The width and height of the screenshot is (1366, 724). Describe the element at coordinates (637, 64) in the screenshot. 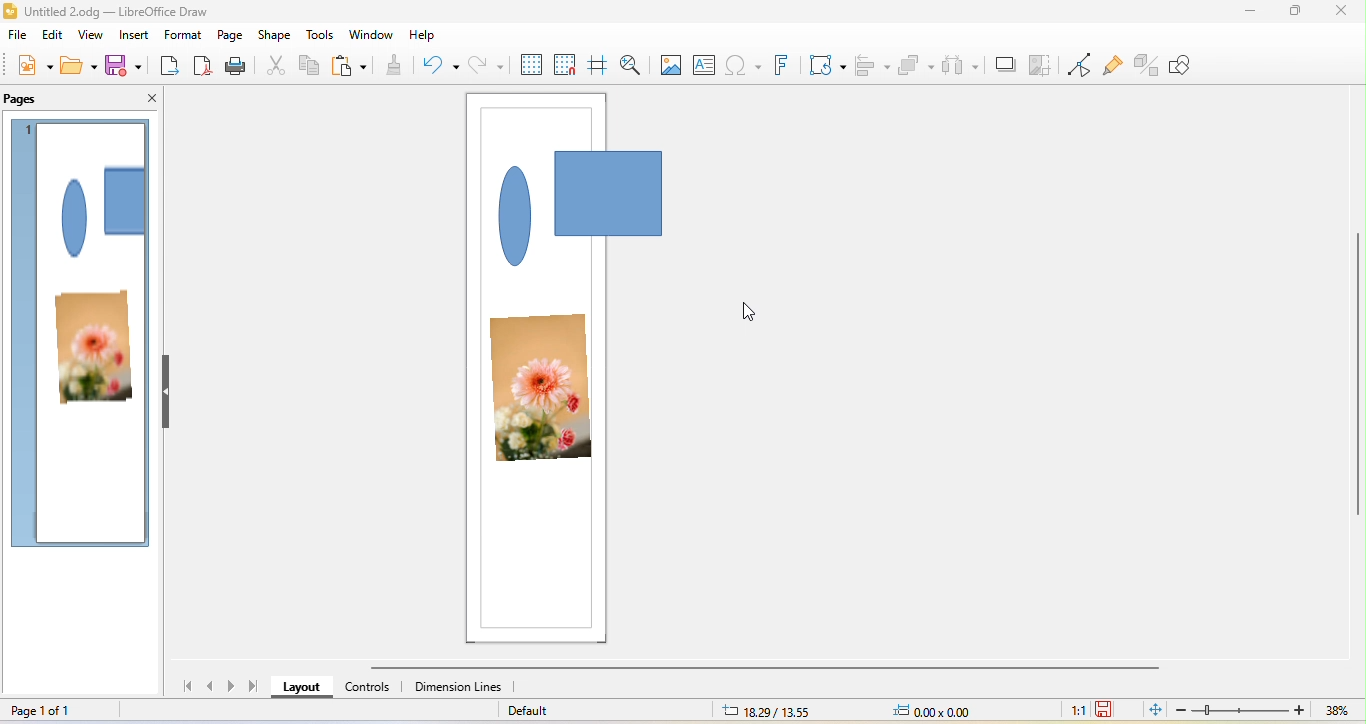

I see `zoom and pan` at that location.